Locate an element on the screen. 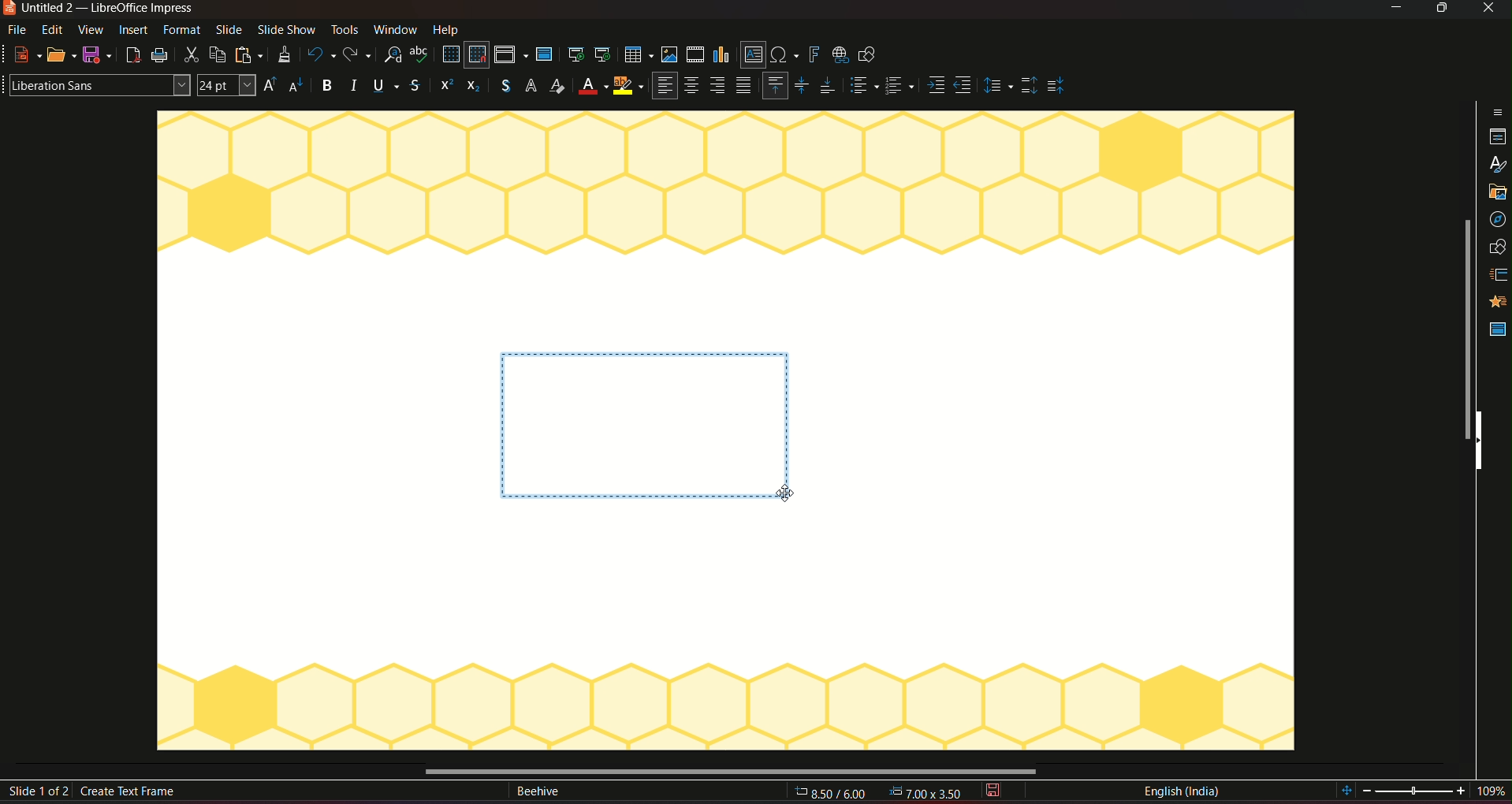 The image size is (1512, 804). Underline is located at coordinates (386, 84).